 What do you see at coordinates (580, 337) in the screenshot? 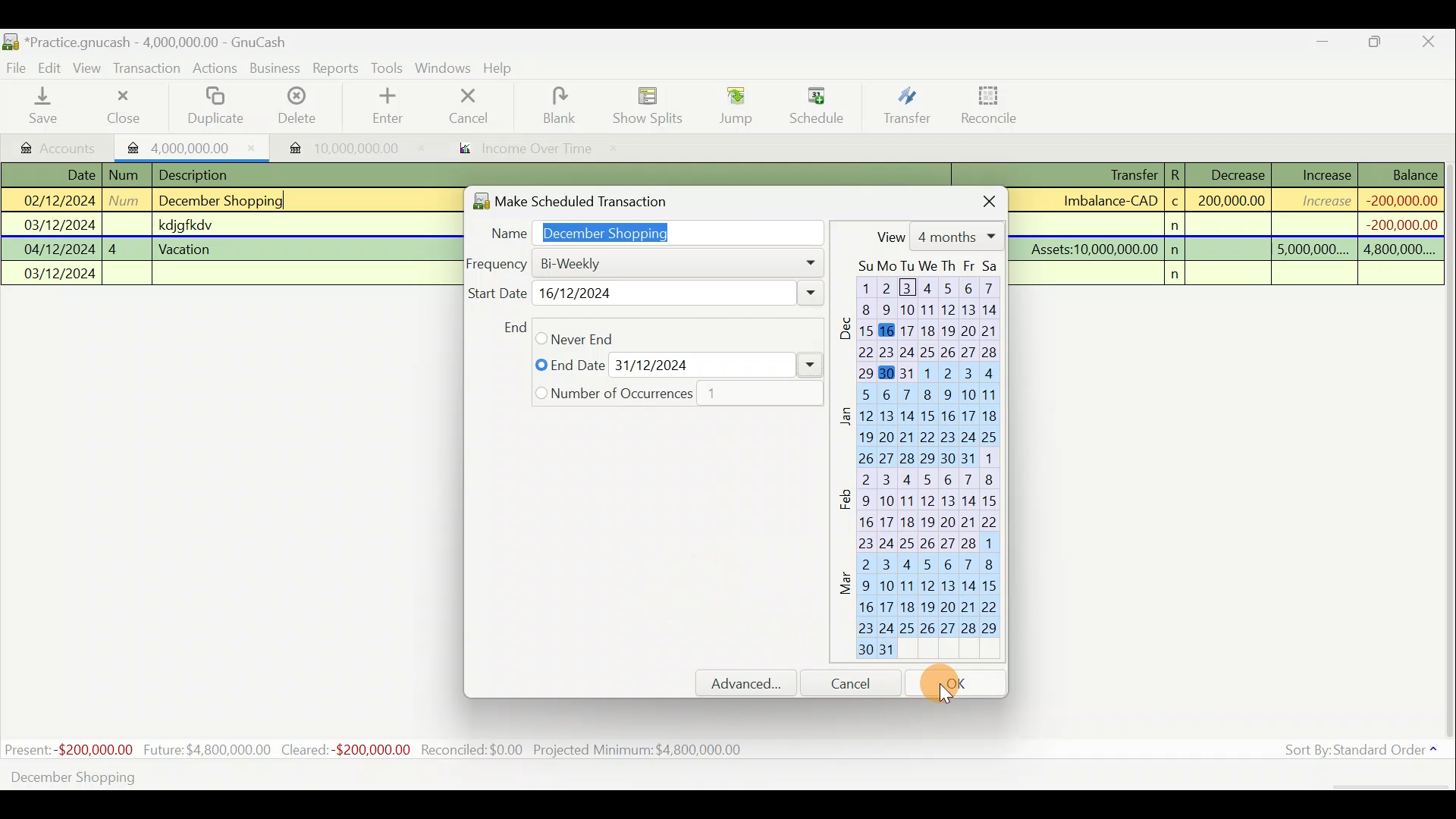
I see `Monthly` at bounding box center [580, 337].